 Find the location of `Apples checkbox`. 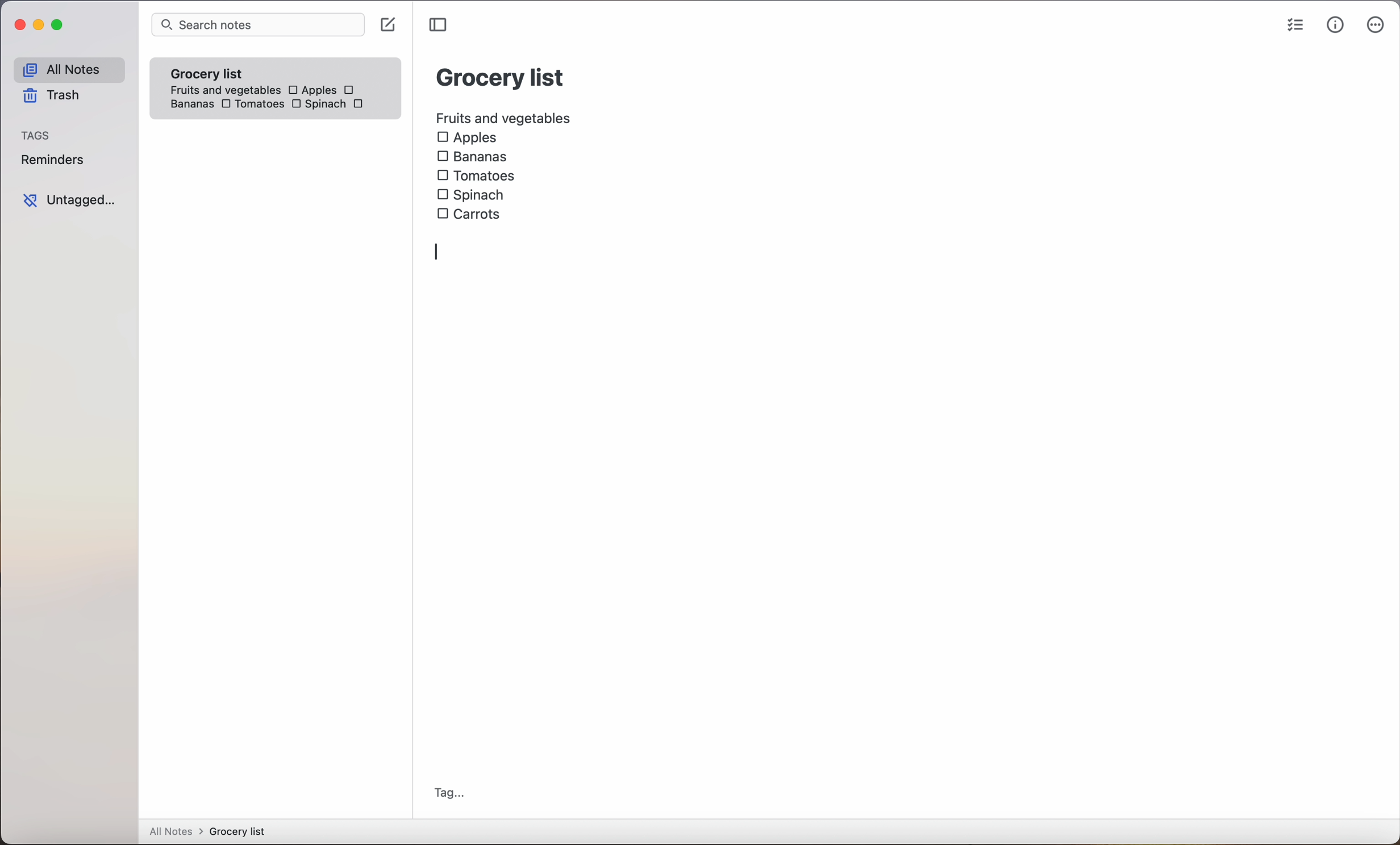

Apples checkbox is located at coordinates (311, 90).